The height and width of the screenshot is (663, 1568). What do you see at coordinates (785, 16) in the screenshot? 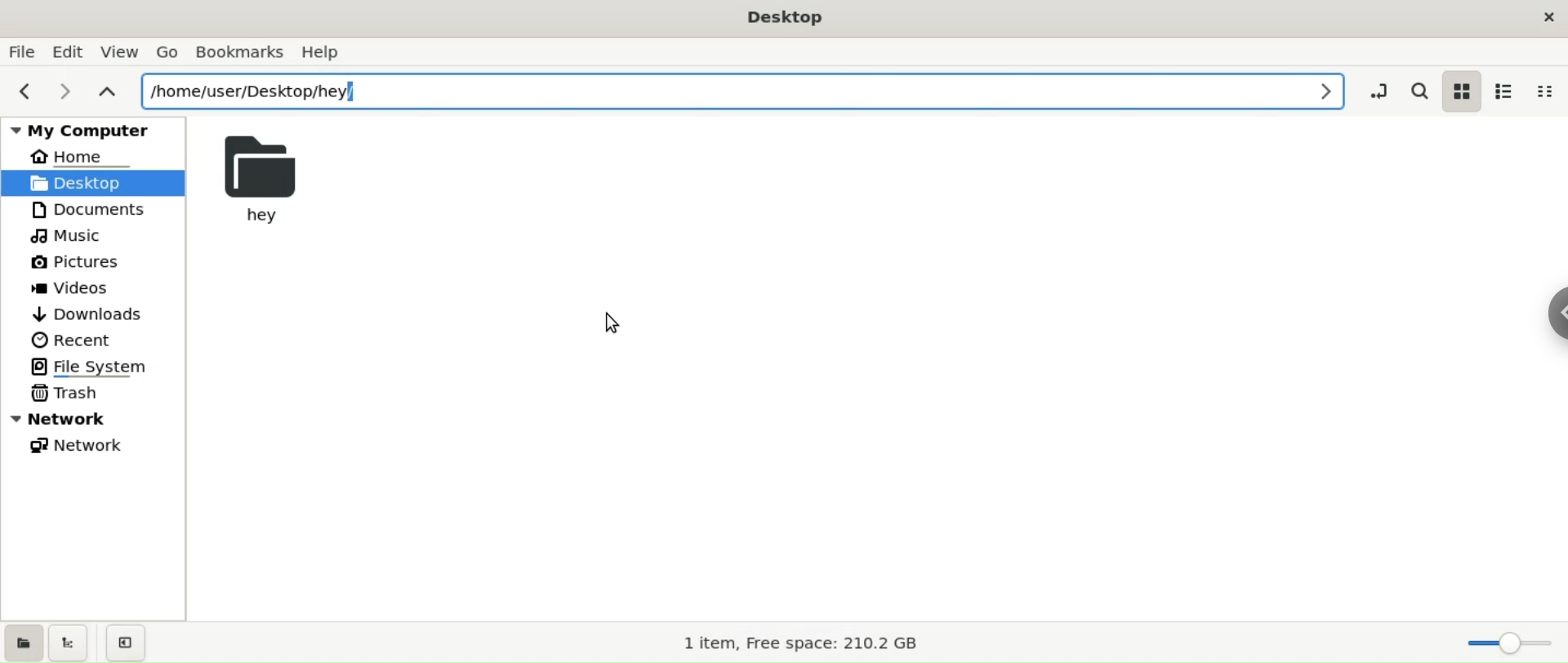
I see `desktop` at bounding box center [785, 16].